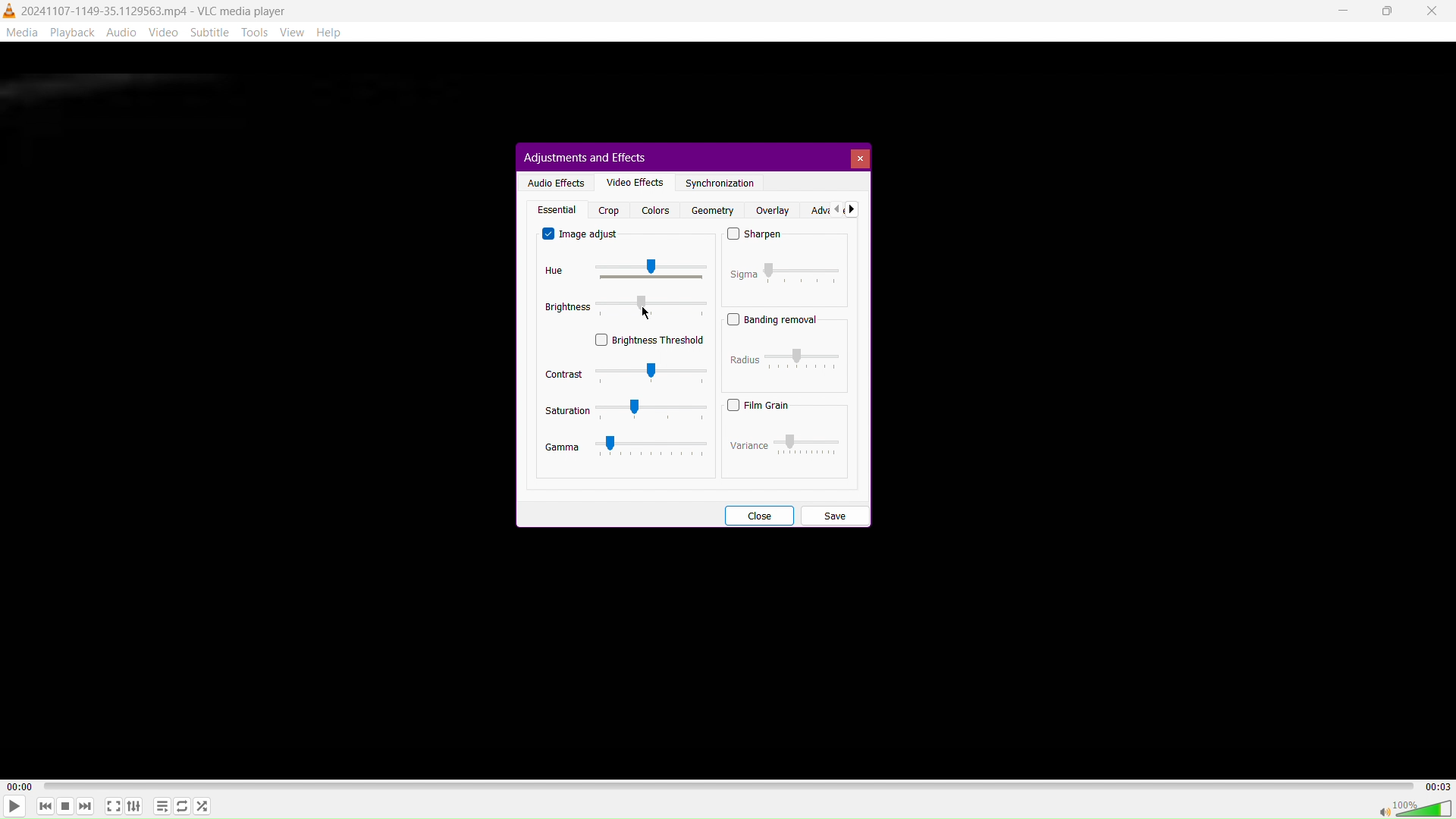  What do you see at coordinates (583, 156) in the screenshot?
I see `Adjustments and Effects` at bounding box center [583, 156].